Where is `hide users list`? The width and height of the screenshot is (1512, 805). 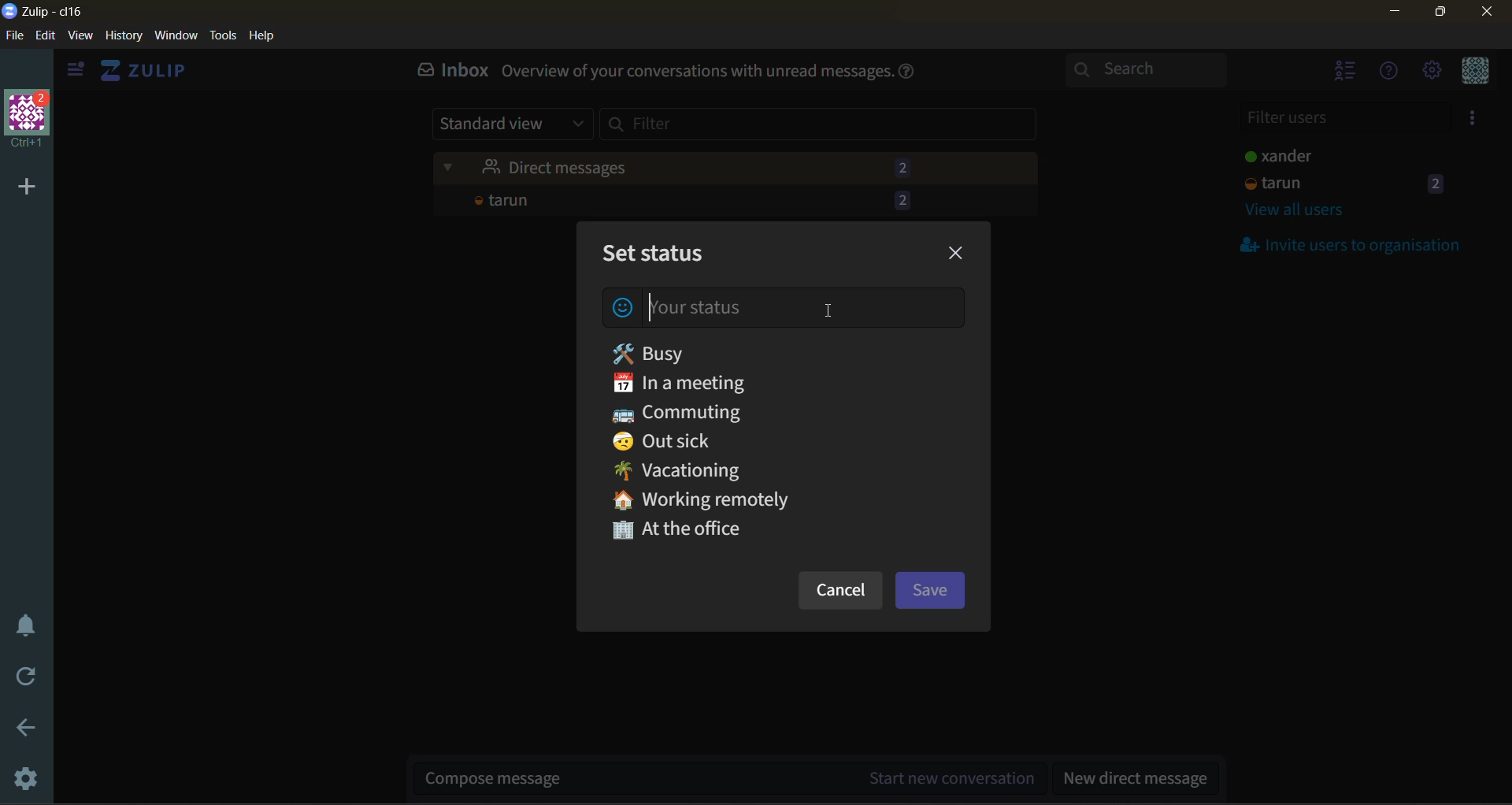
hide users list is located at coordinates (1340, 75).